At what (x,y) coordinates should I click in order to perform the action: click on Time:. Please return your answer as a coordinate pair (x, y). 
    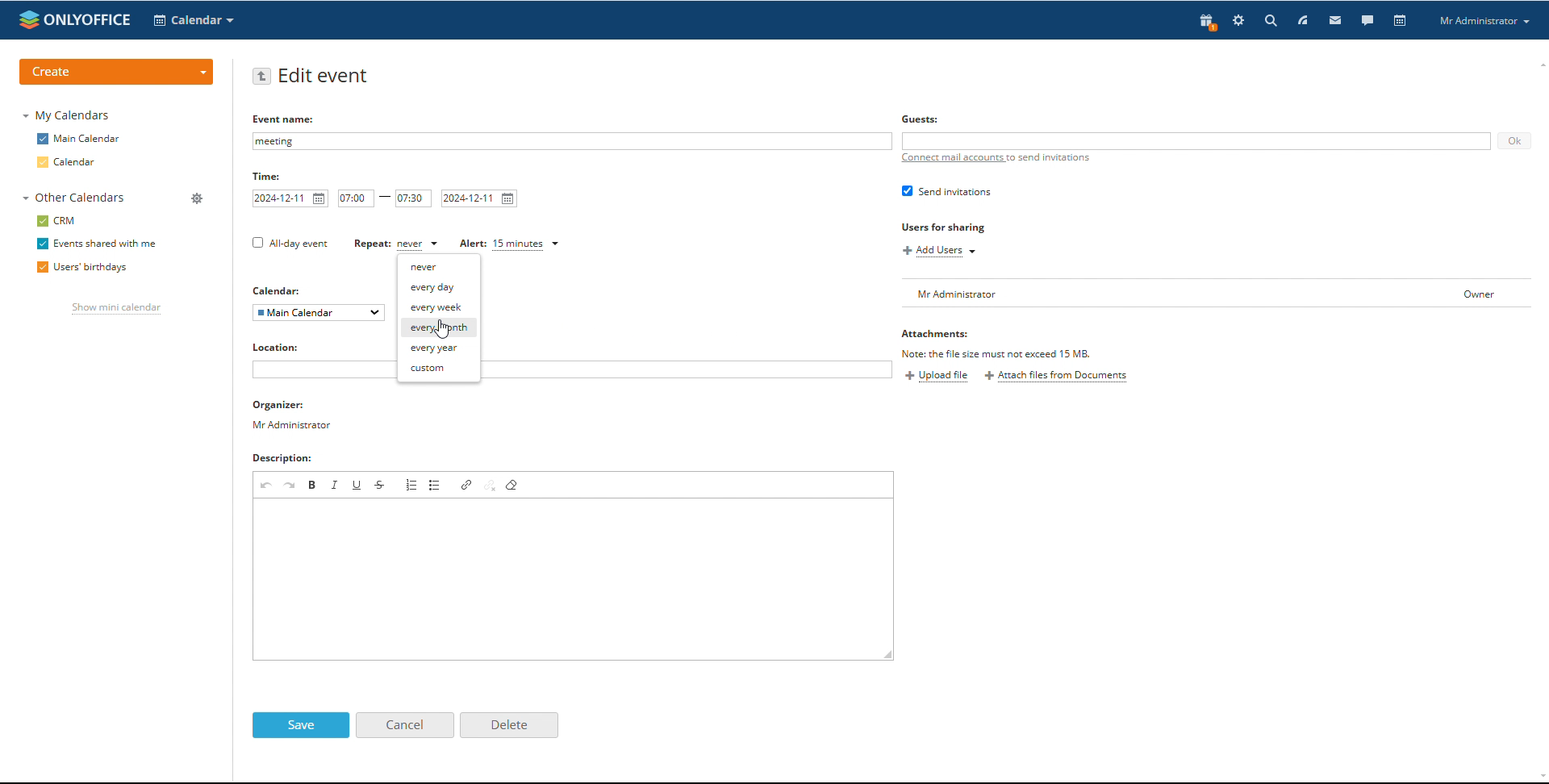
    Looking at the image, I should click on (270, 177).